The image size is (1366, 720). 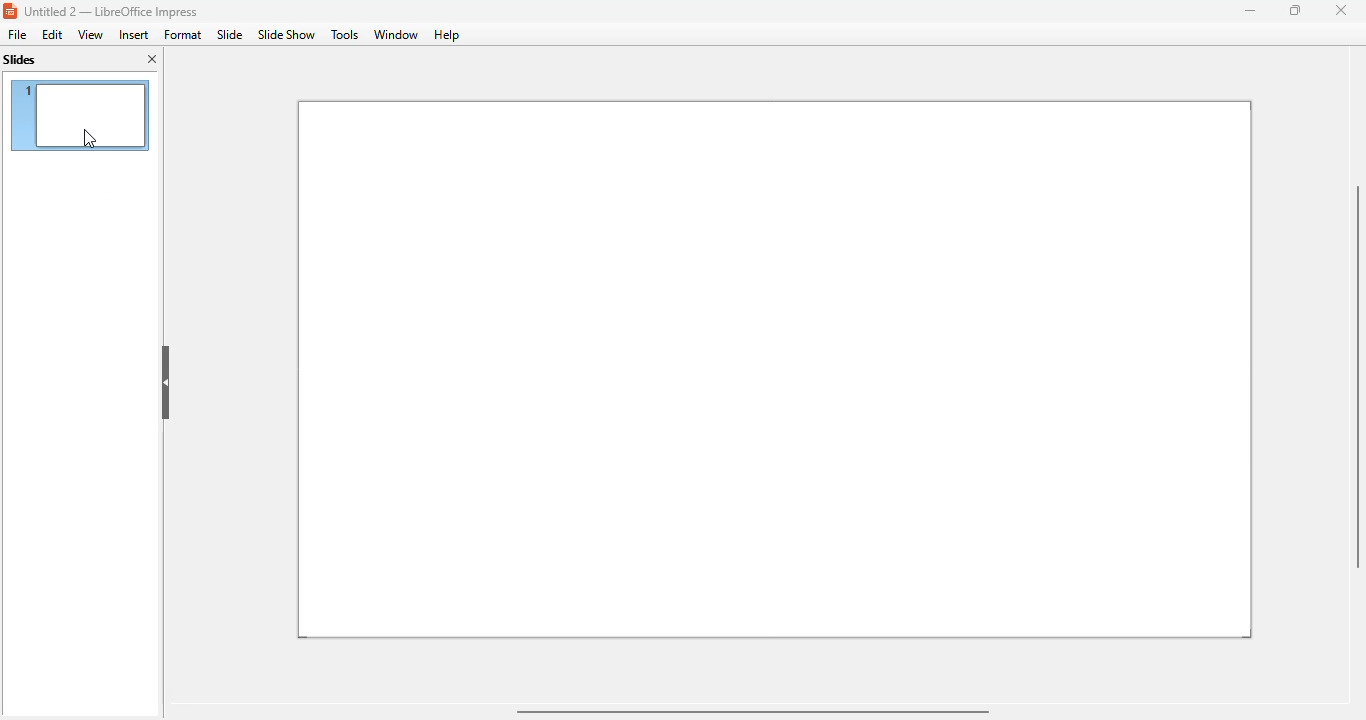 What do you see at coordinates (343, 34) in the screenshot?
I see `tools` at bounding box center [343, 34].